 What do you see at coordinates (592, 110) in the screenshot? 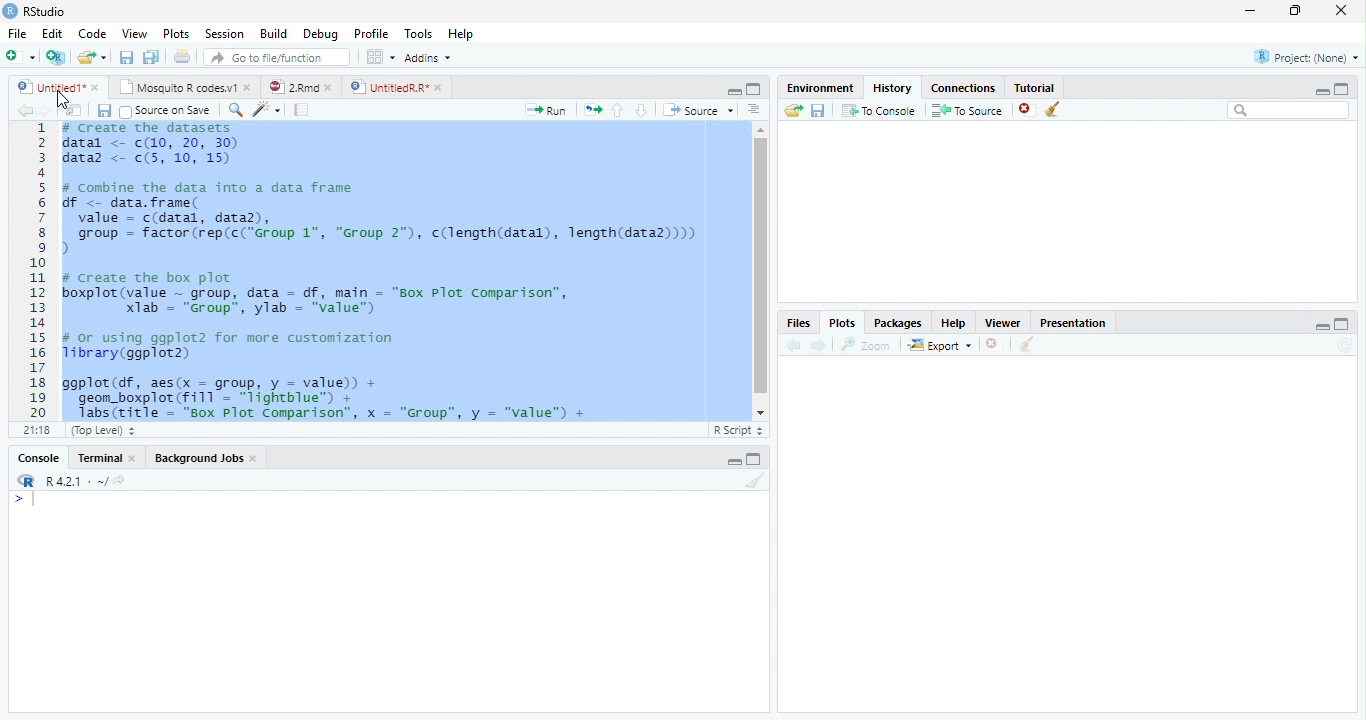
I see `Re-run the previous code region` at bounding box center [592, 110].